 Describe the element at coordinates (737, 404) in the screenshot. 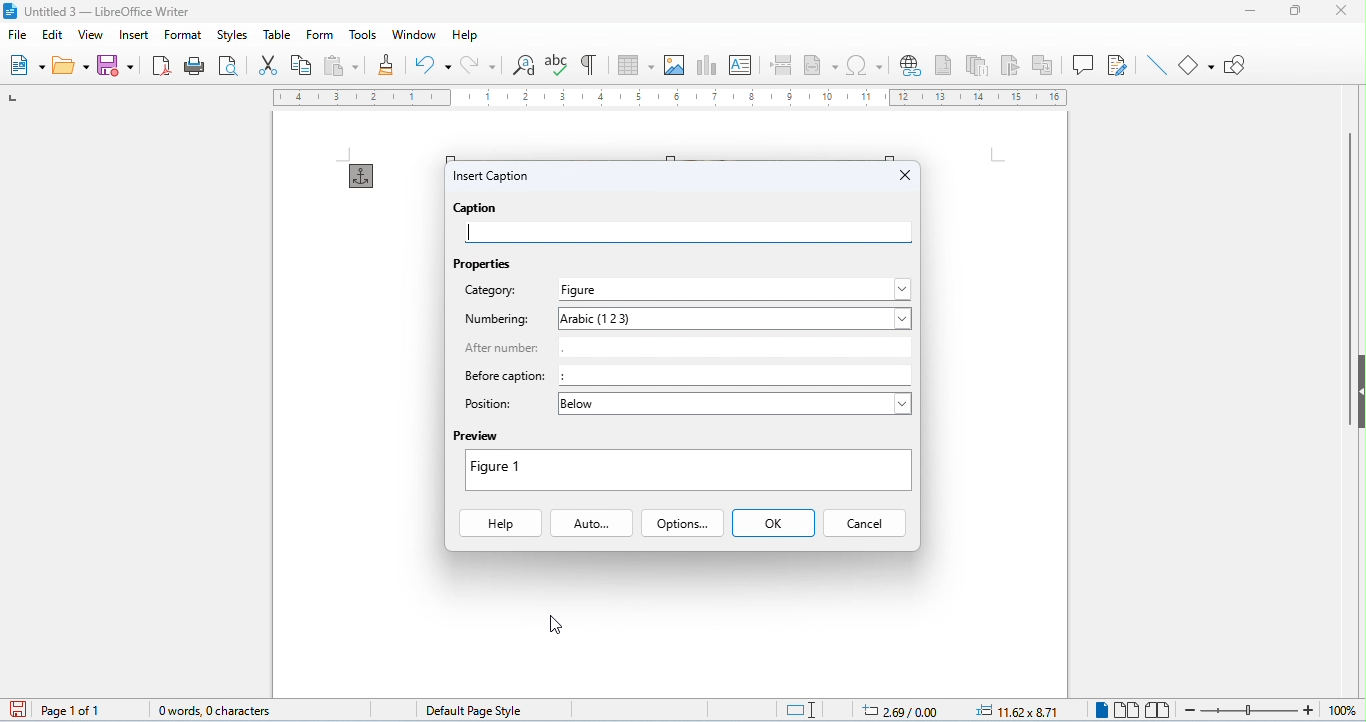

I see `select position` at that location.